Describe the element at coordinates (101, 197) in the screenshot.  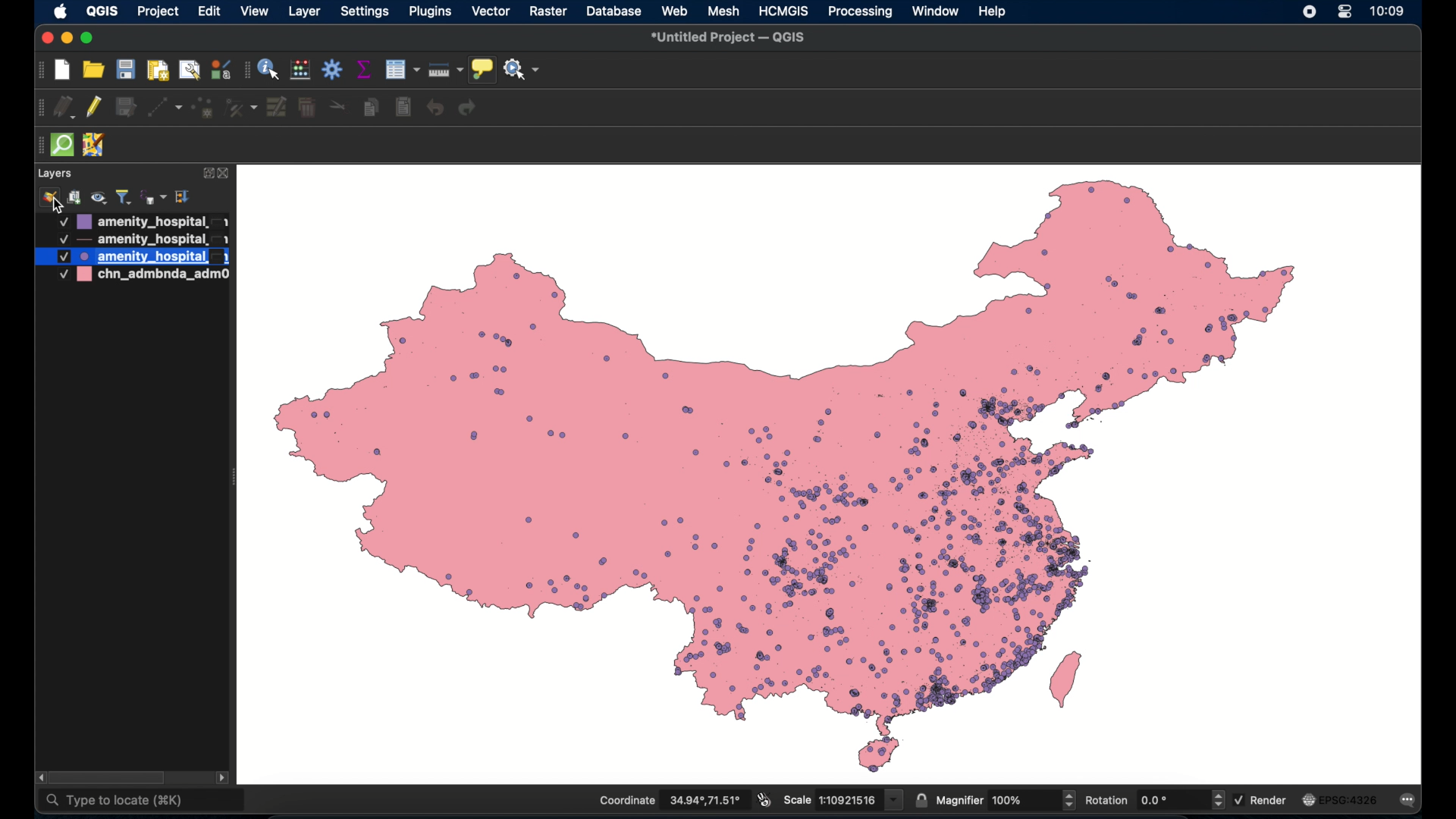
I see `manage map theme` at that location.